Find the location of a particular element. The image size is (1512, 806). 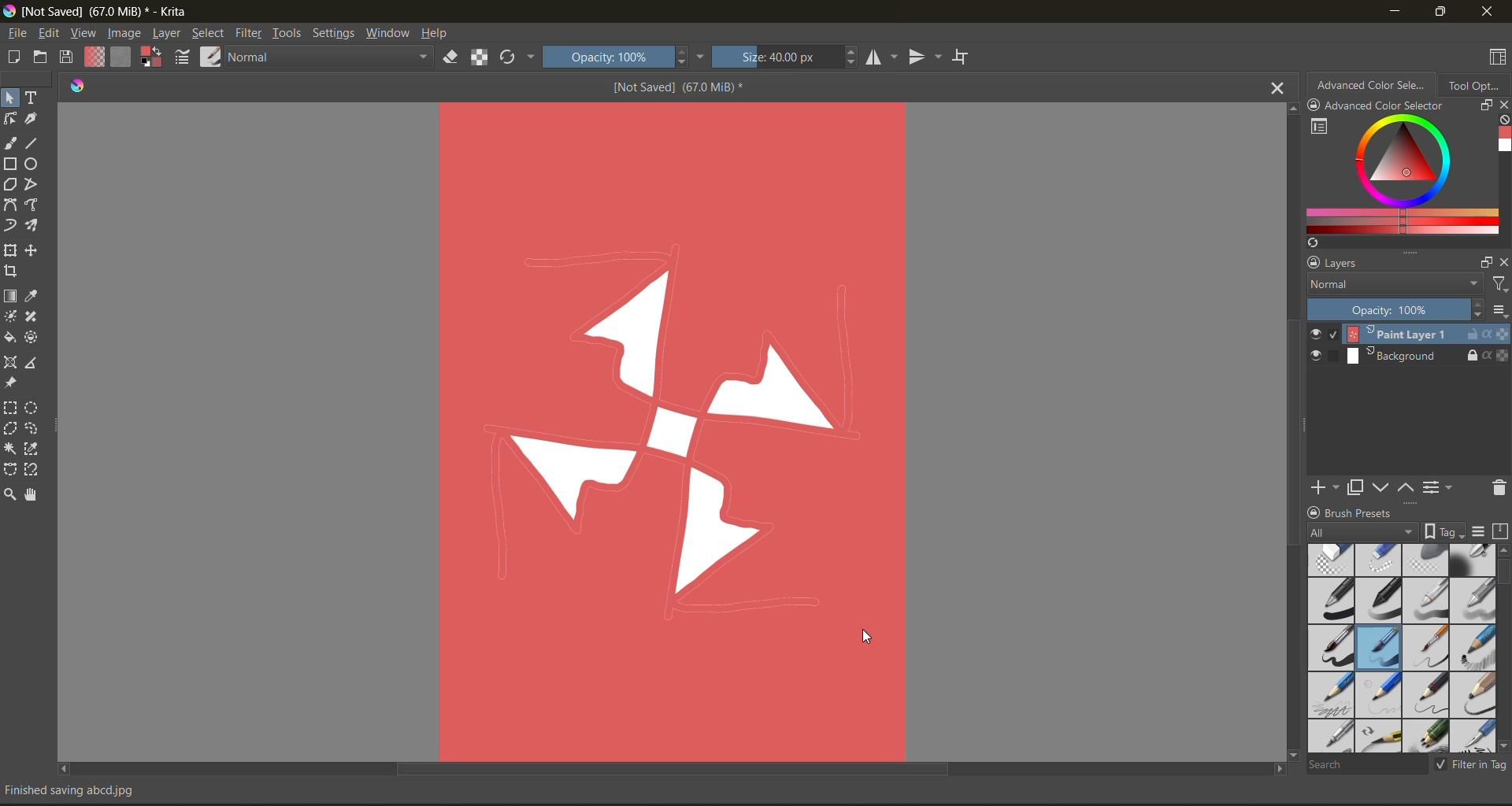

tools is located at coordinates (35, 251).